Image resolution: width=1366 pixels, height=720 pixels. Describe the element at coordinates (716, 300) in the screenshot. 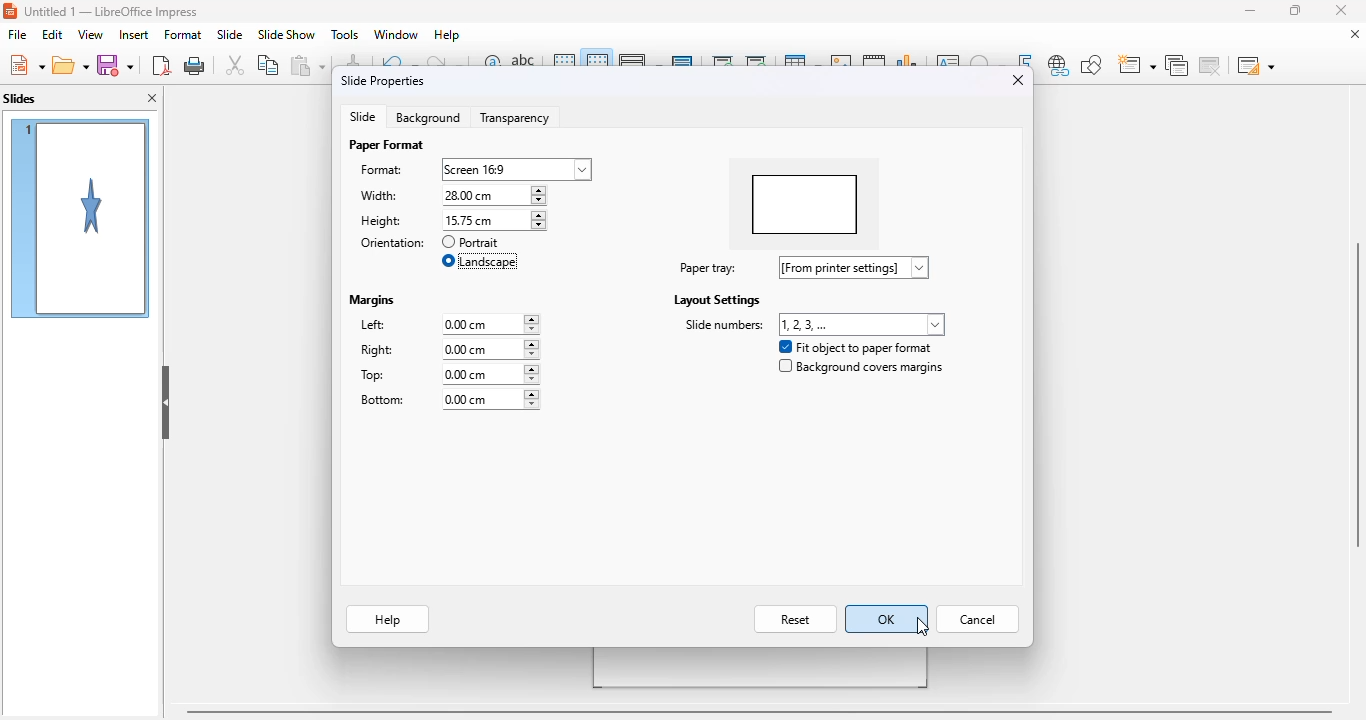

I see `layout settings` at that location.